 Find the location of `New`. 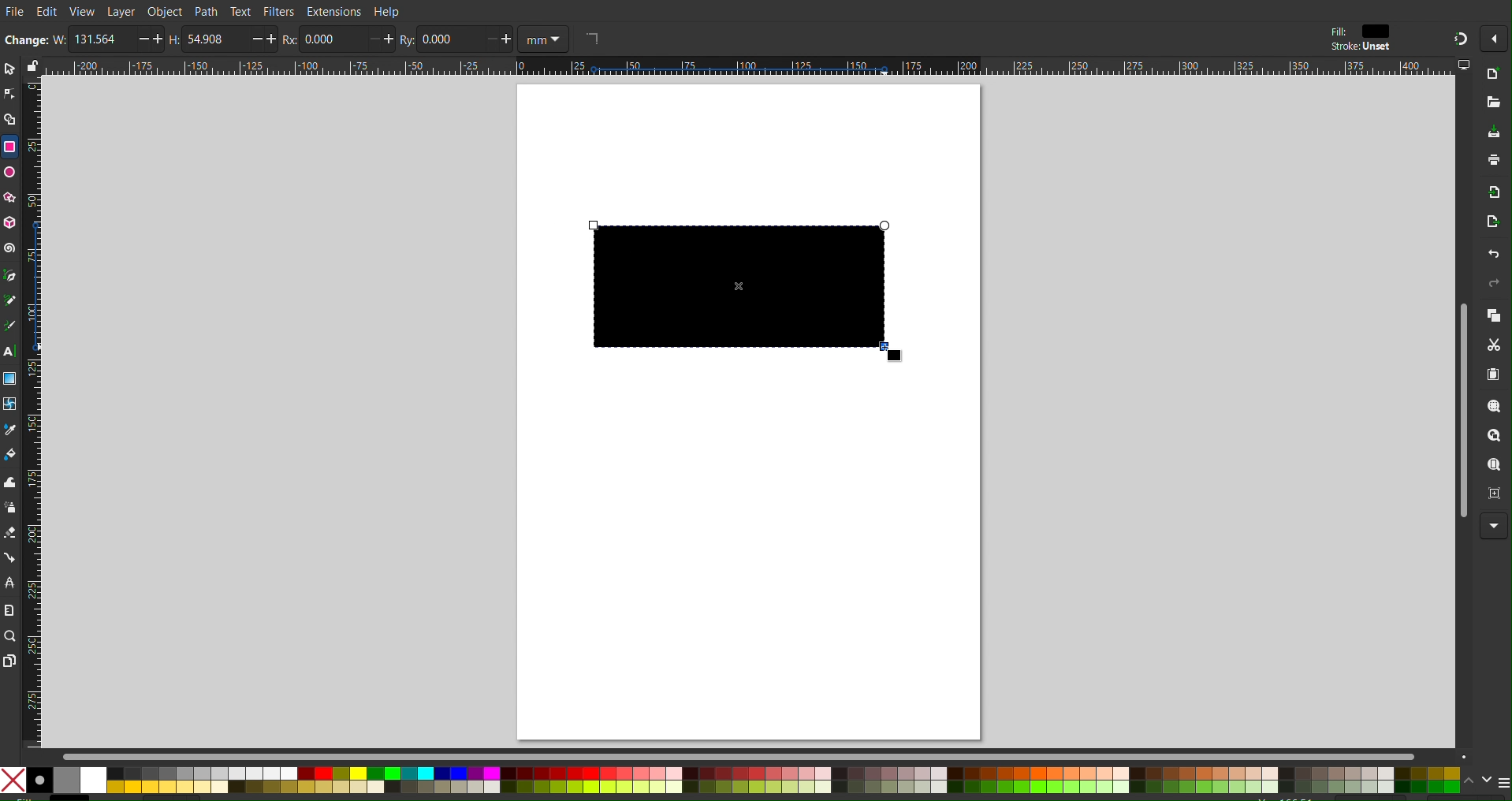

New is located at coordinates (1493, 75).